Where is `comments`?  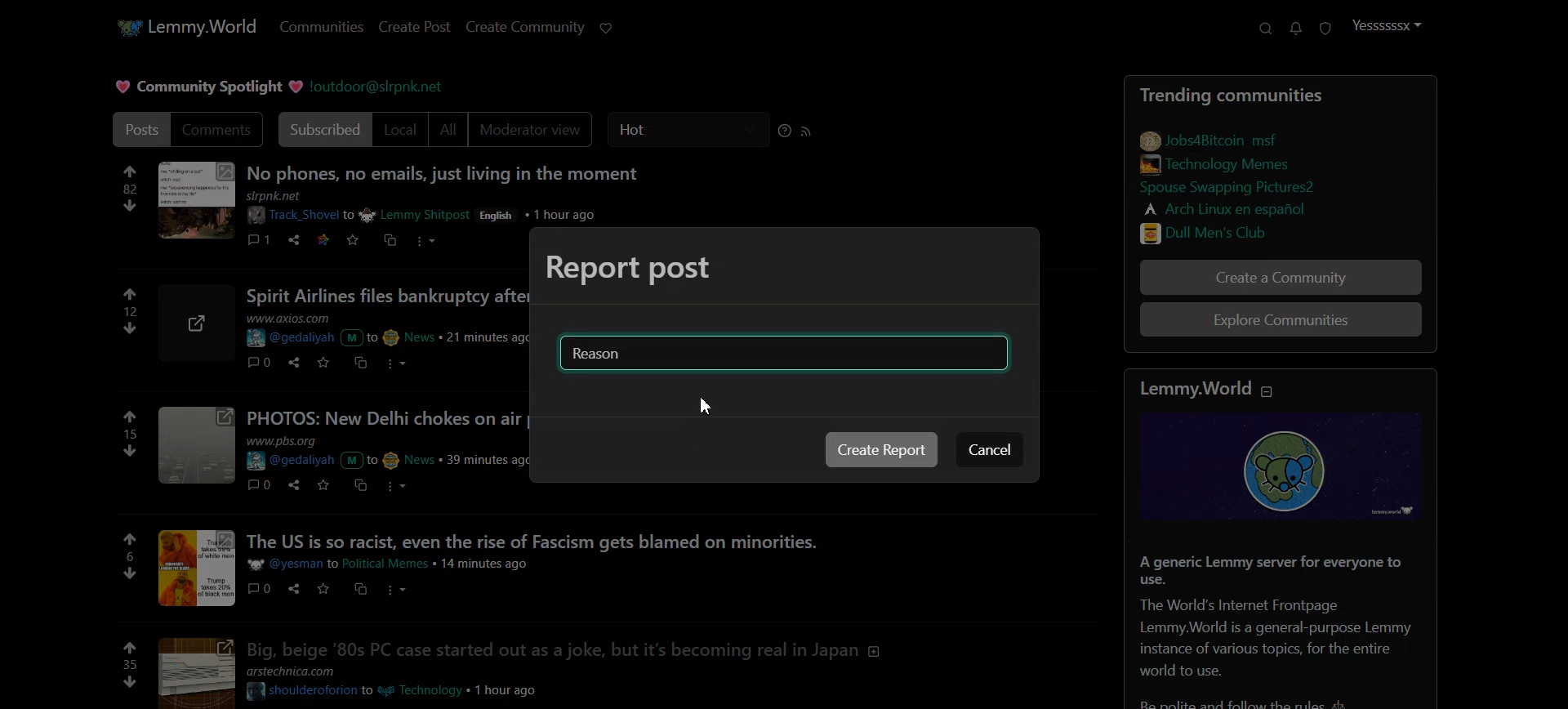 comments is located at coordinates (260, 484).